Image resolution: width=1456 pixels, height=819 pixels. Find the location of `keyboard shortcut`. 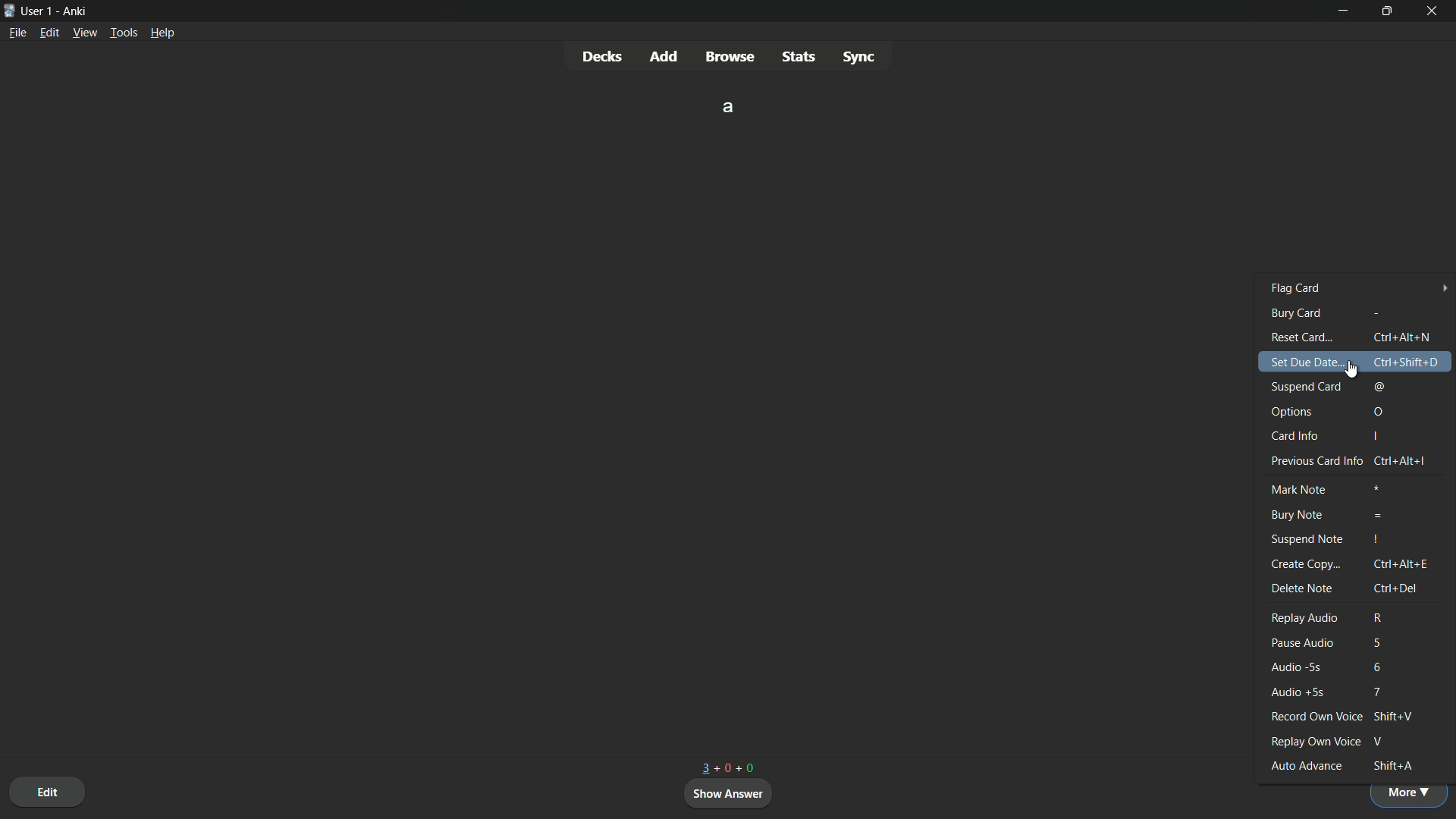

keyboard shortcut is located at coordinates (1374, 643).